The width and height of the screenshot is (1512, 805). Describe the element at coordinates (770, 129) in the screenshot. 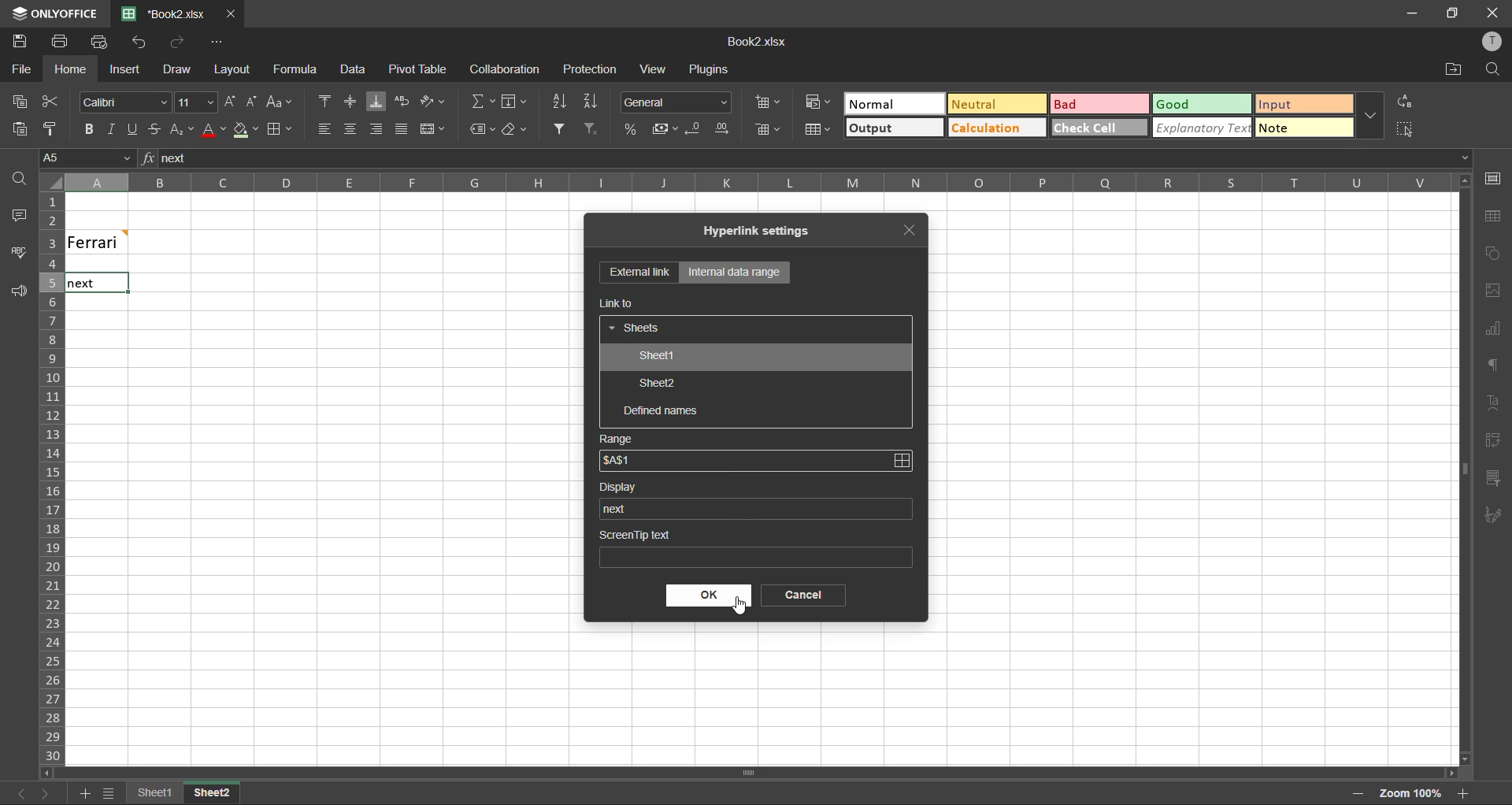

I see `delete cells` at that location.